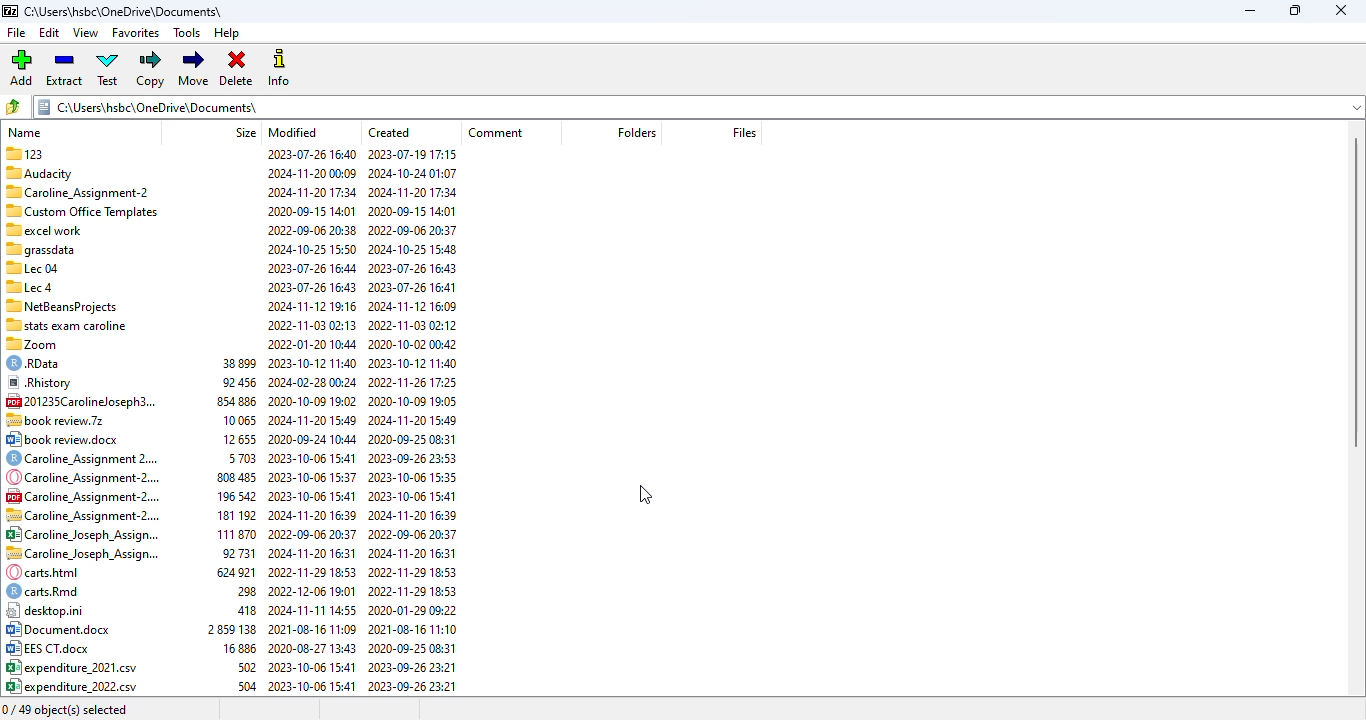 The height and width of the screenshot is (720, 1366). What do you see at coordinates (32, 267) in the screenshot?
I see `Lec 04` at bounding box center [32, 267].